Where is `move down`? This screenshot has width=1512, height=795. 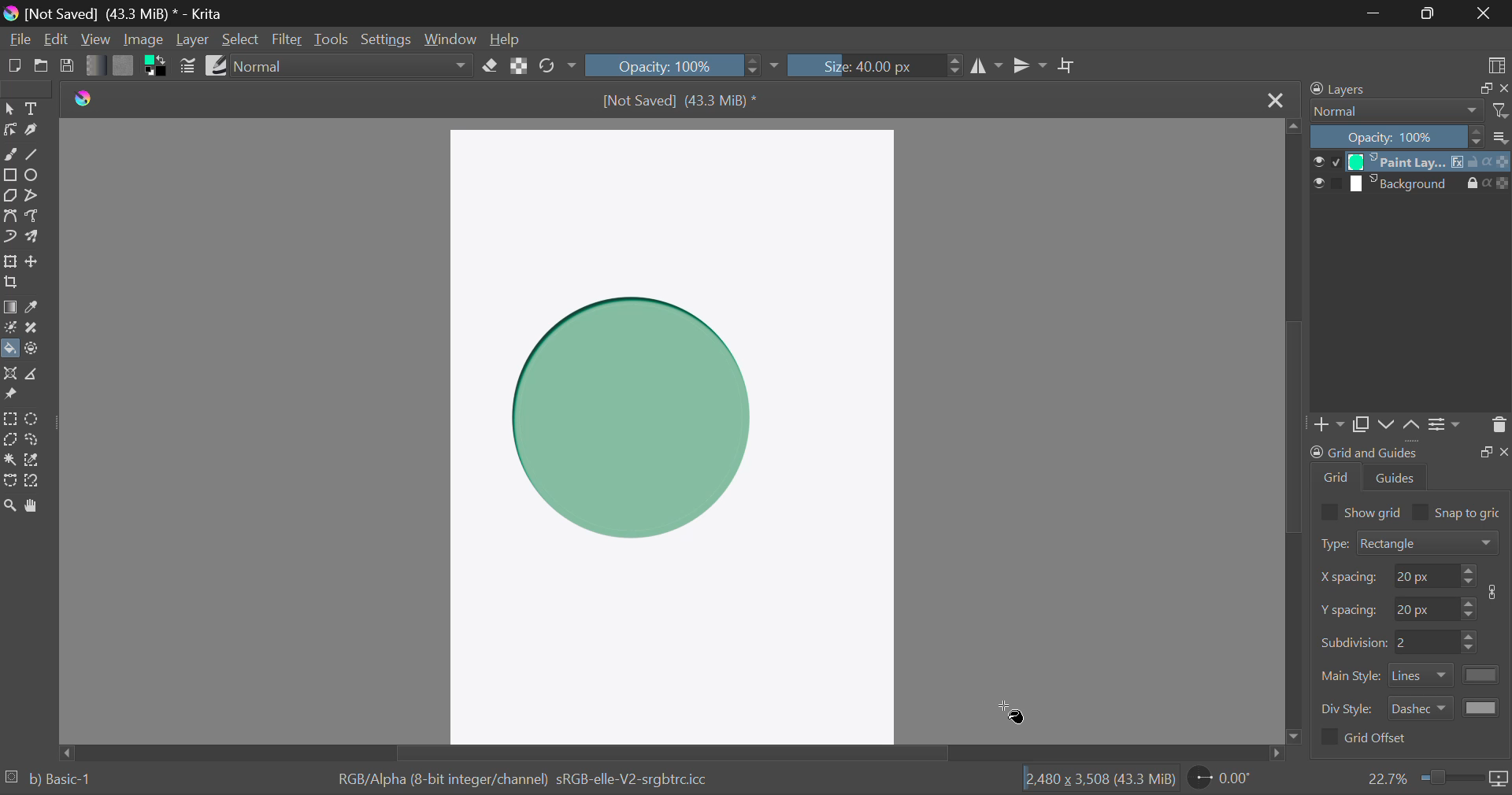 move down is located at coordinates (1298, 733).